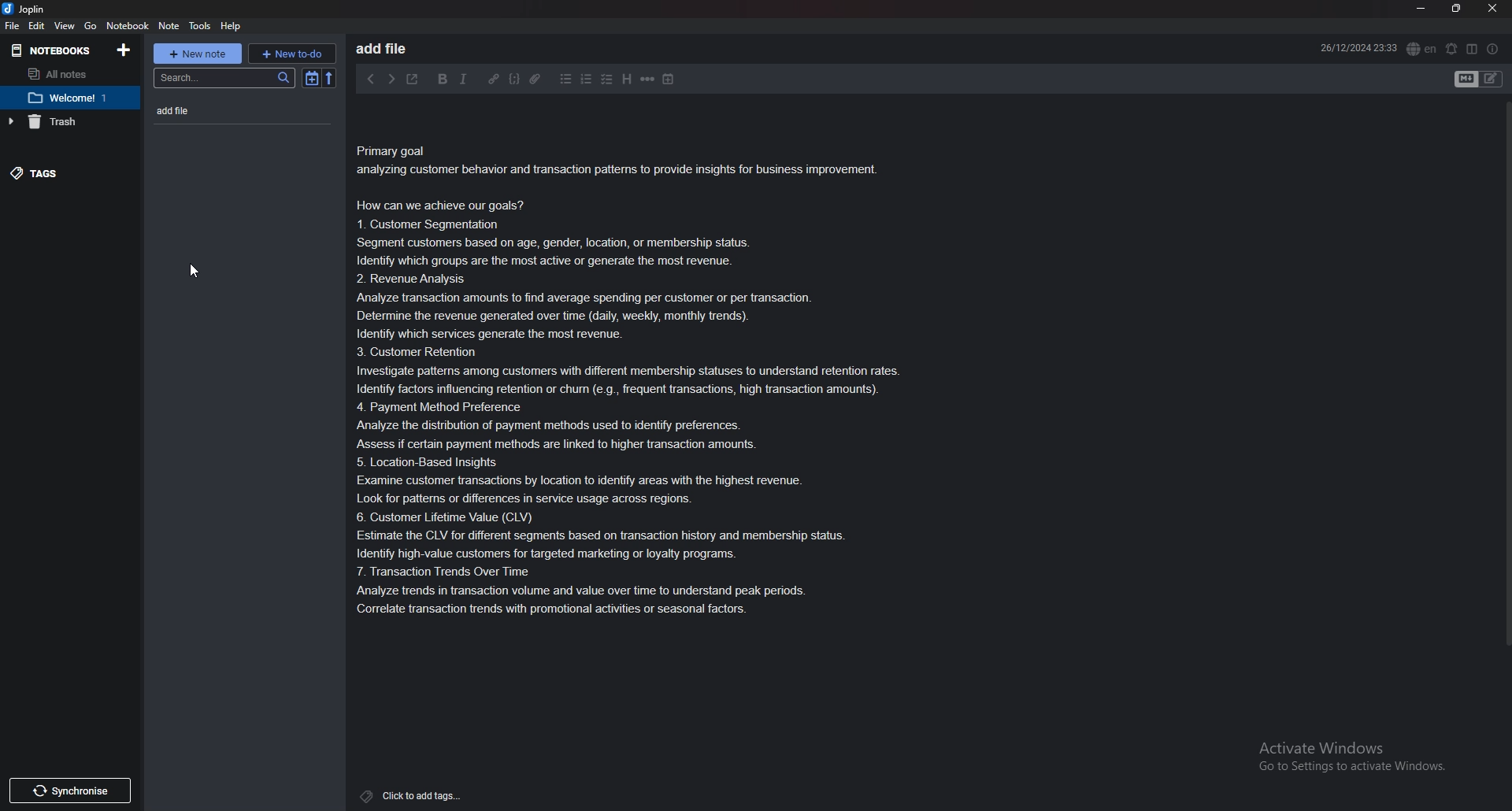 The height and width of the screenshot is (811, 1512). I want to click on Minimize, so click(1424, 7).